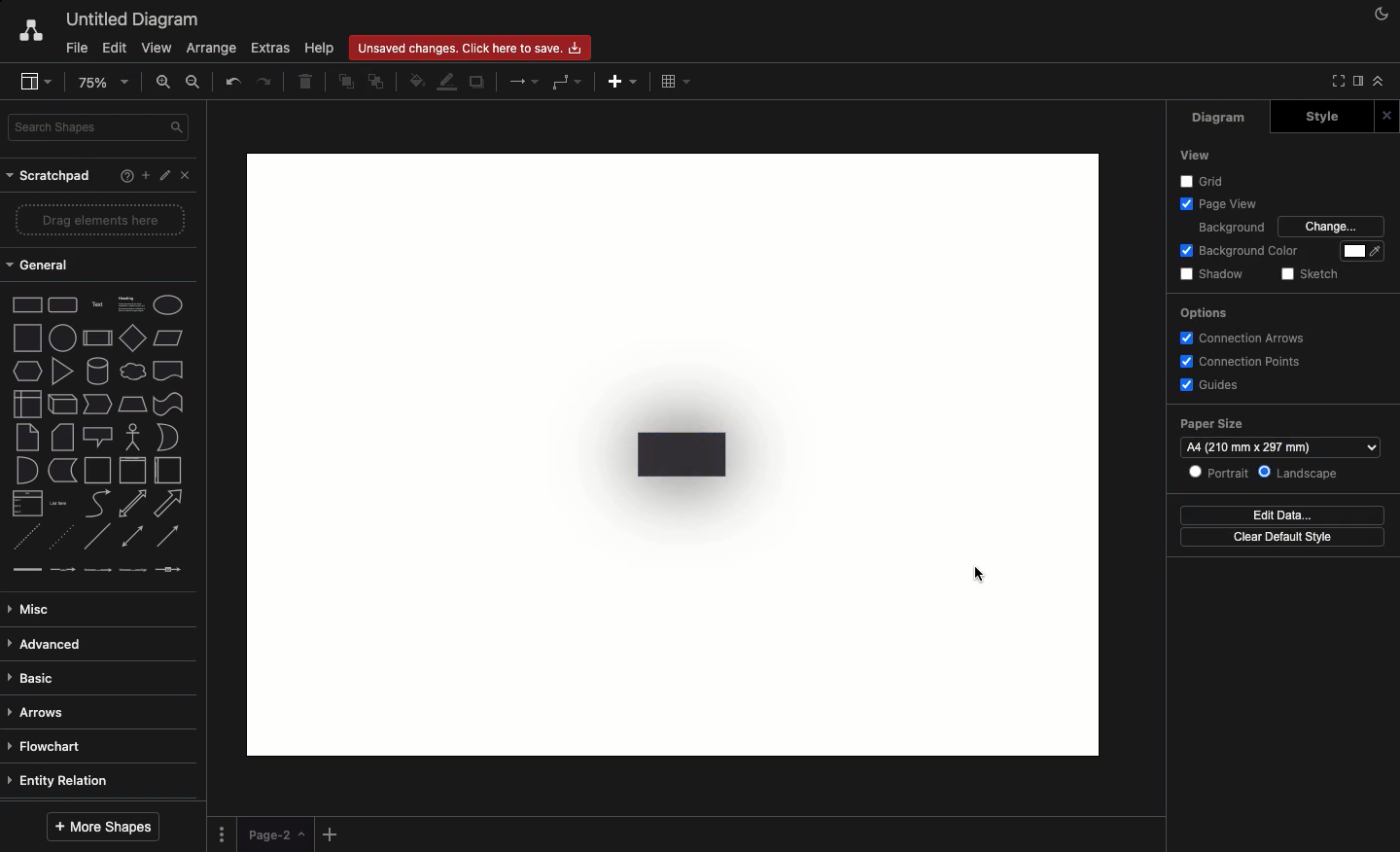  Describe the element at coordinates (92, 404) in the screenshot. I see `step` at that location.